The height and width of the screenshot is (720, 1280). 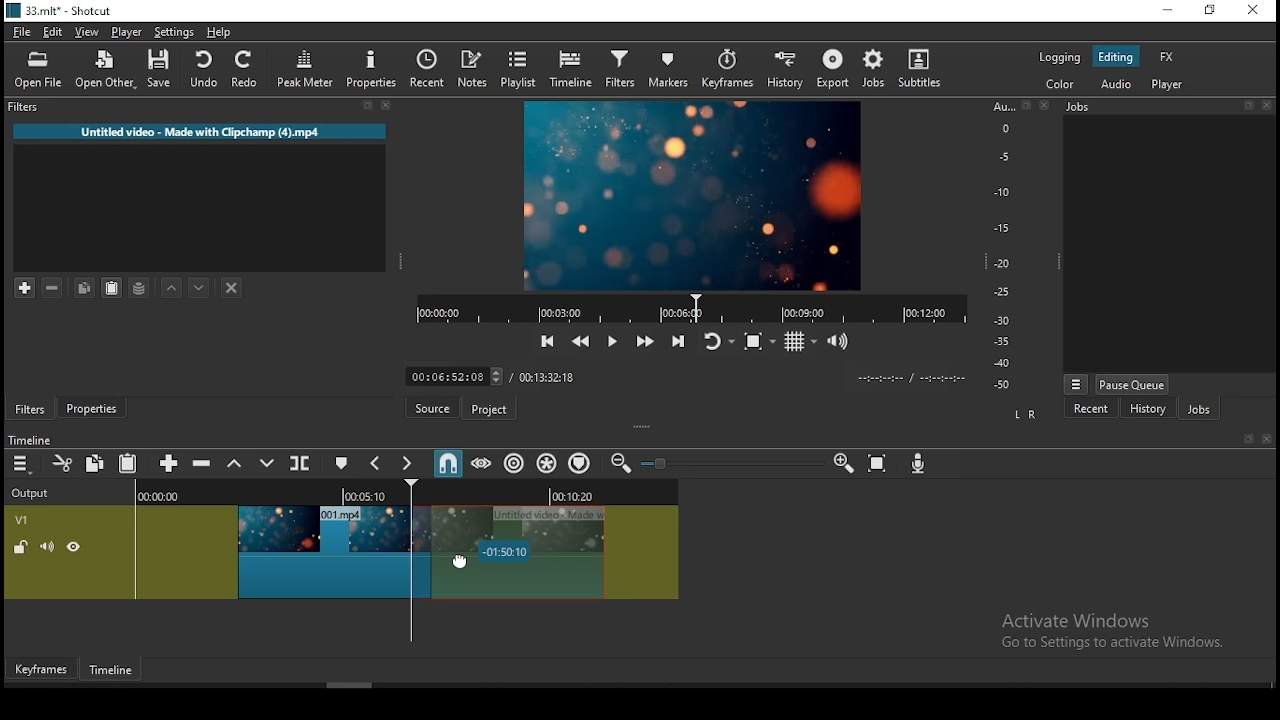 What do you see at coordinates (21, 288) in the screenshot?
I see `add a filter` at bounding box center [21, 288].